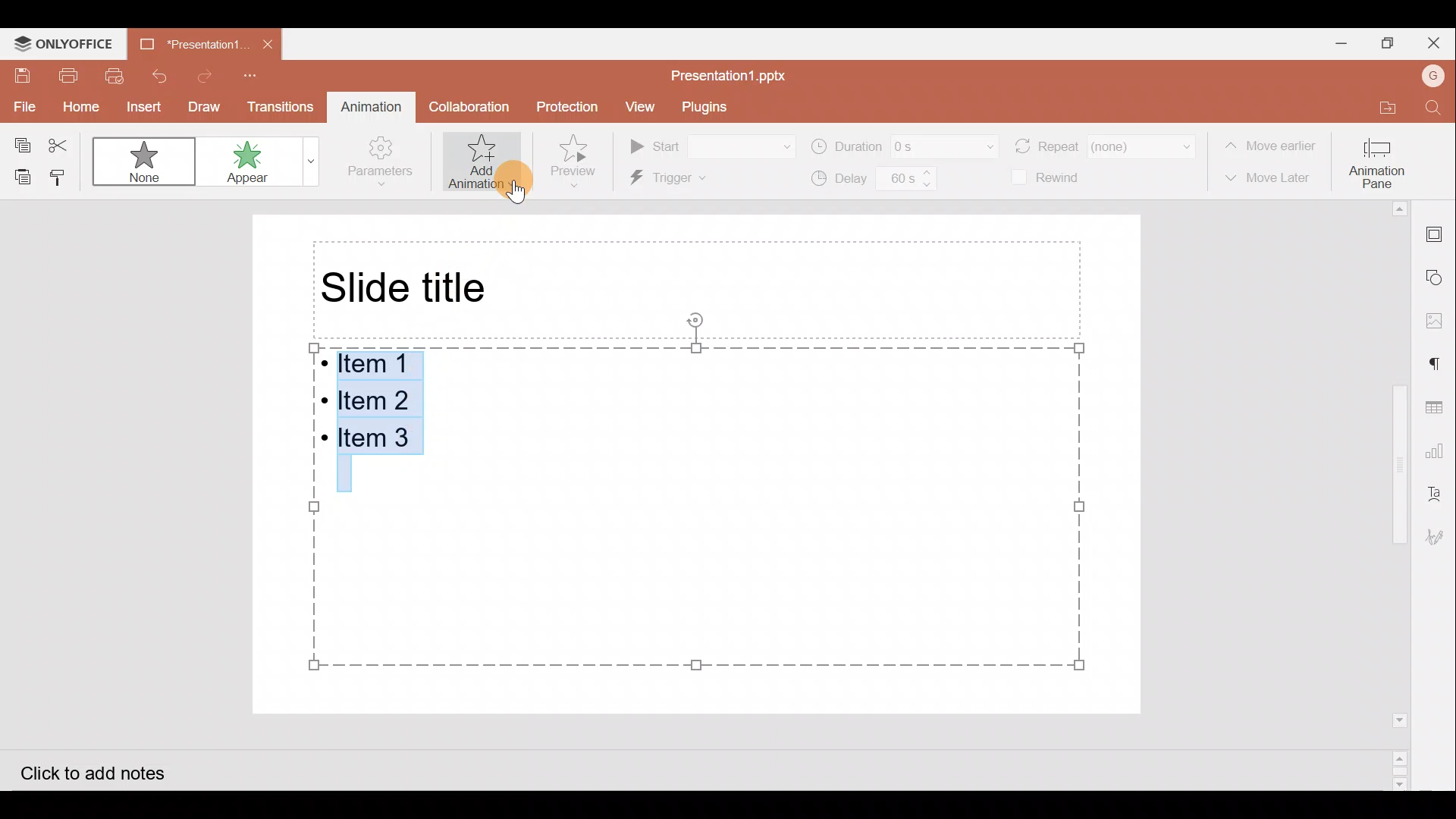  I want to click on Animation pane, so click(1379, 162).